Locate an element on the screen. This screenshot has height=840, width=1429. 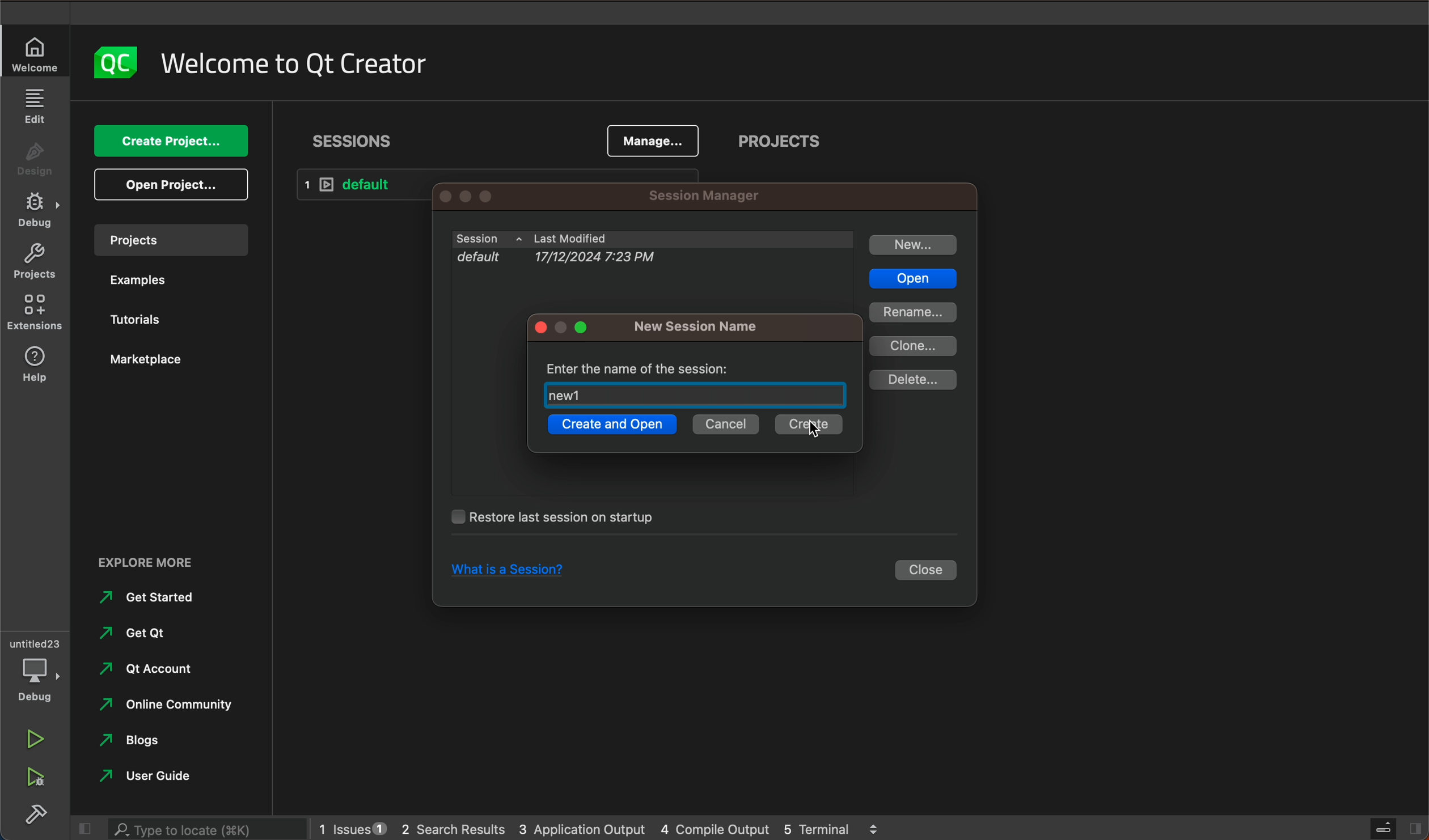
edit is located at coordinates (34, 105).